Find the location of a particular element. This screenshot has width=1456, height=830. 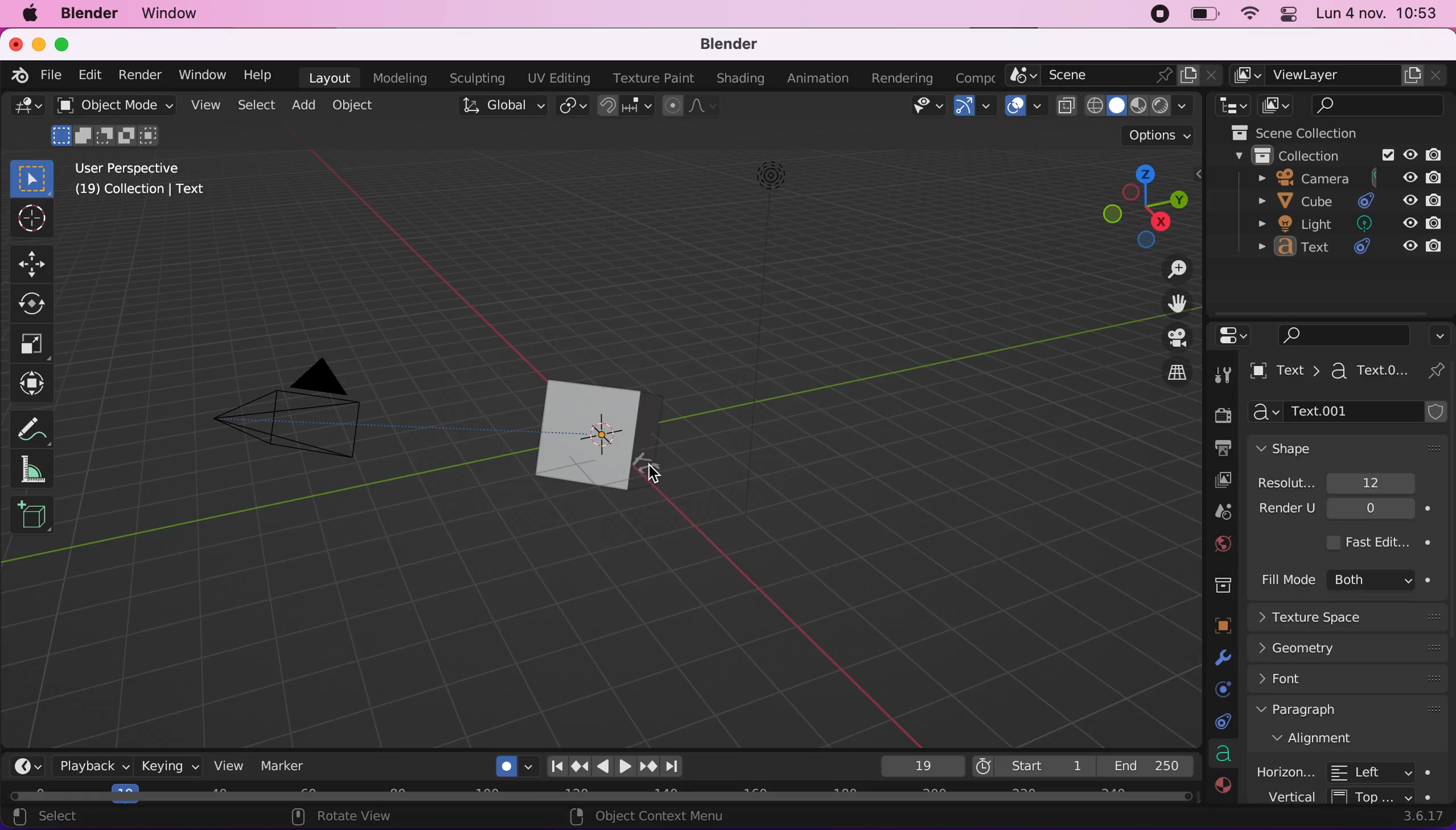

paragraph is located at coordinates (1349, 713).